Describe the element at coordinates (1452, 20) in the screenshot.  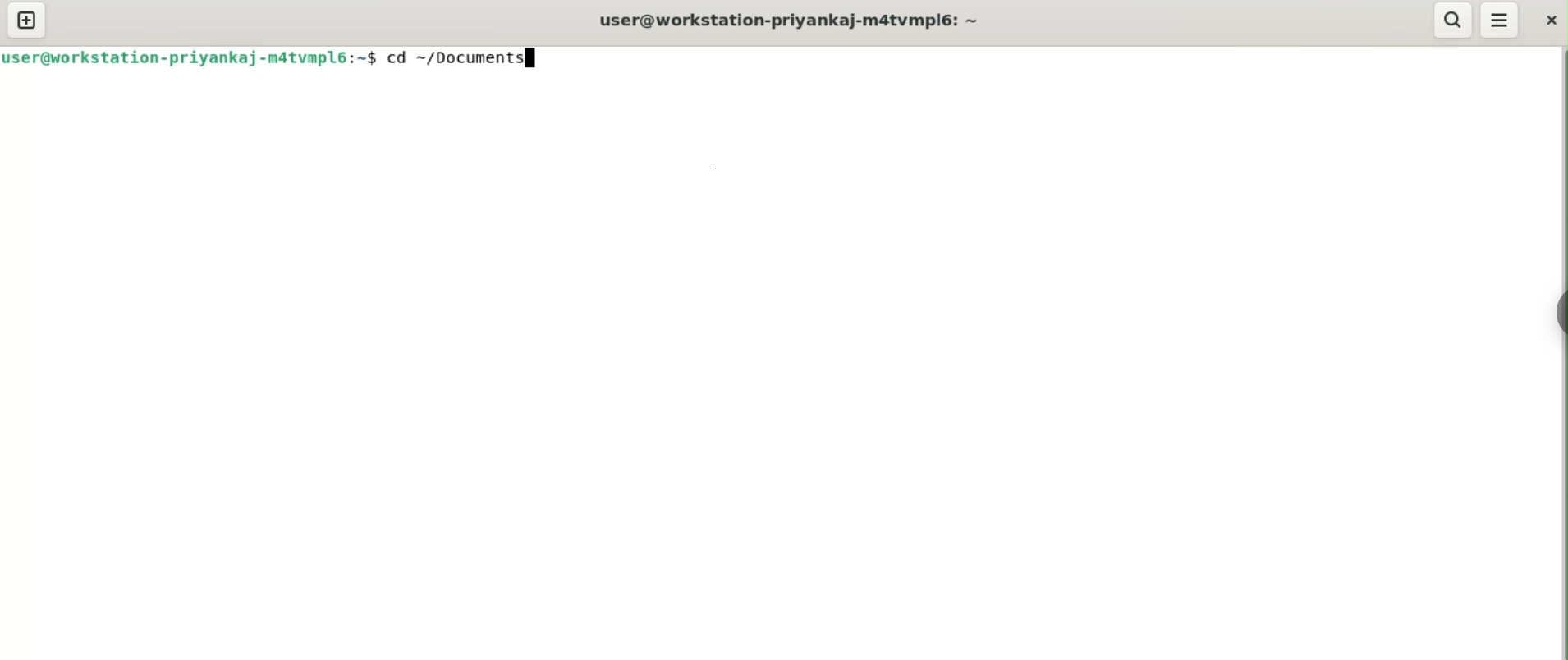
I see `search` at that location.